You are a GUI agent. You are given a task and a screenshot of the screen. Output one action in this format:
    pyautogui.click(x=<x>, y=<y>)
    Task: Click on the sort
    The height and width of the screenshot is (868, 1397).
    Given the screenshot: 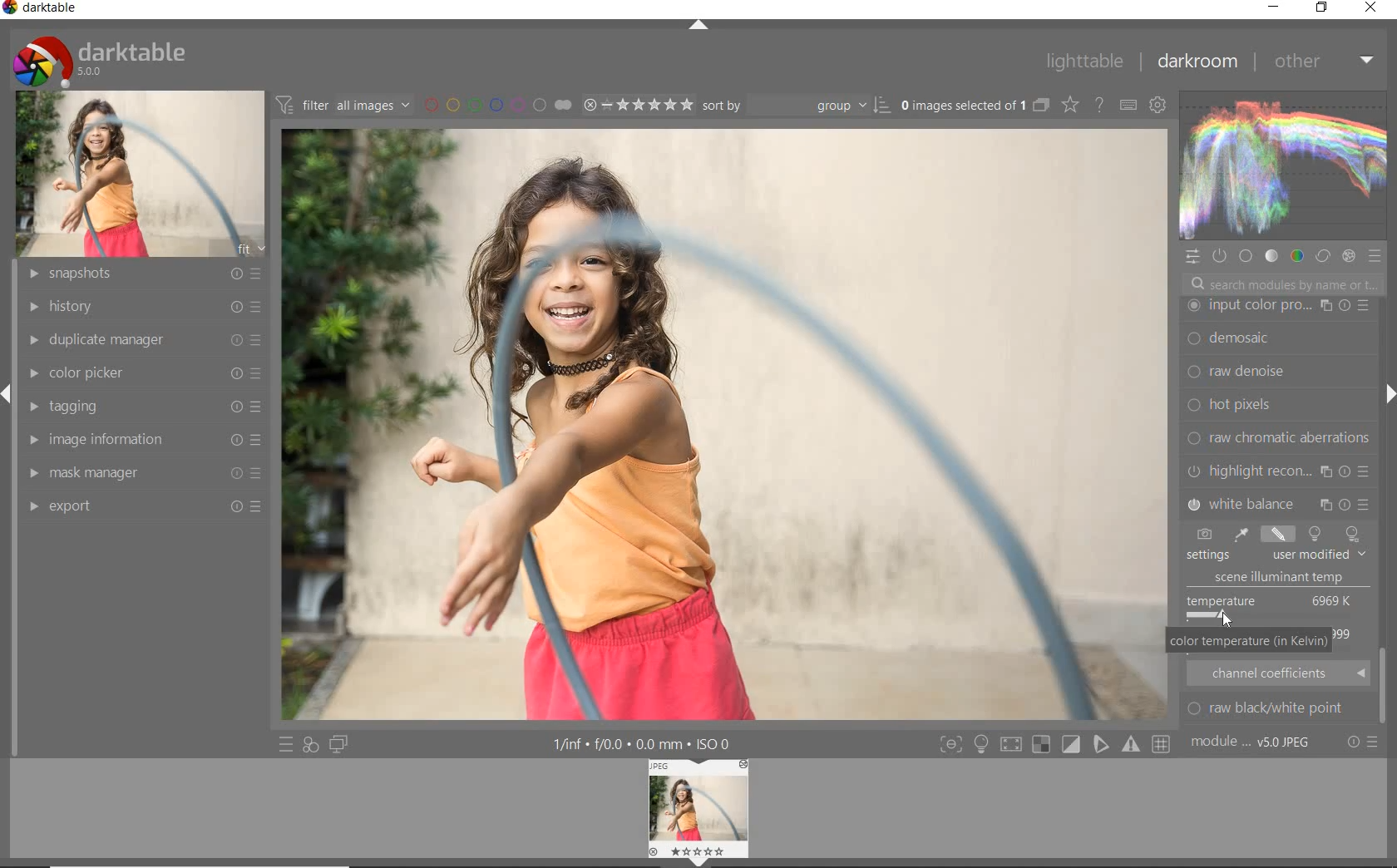 What is the action you would take?
    pyautogui.click(x=796, y=104)
    